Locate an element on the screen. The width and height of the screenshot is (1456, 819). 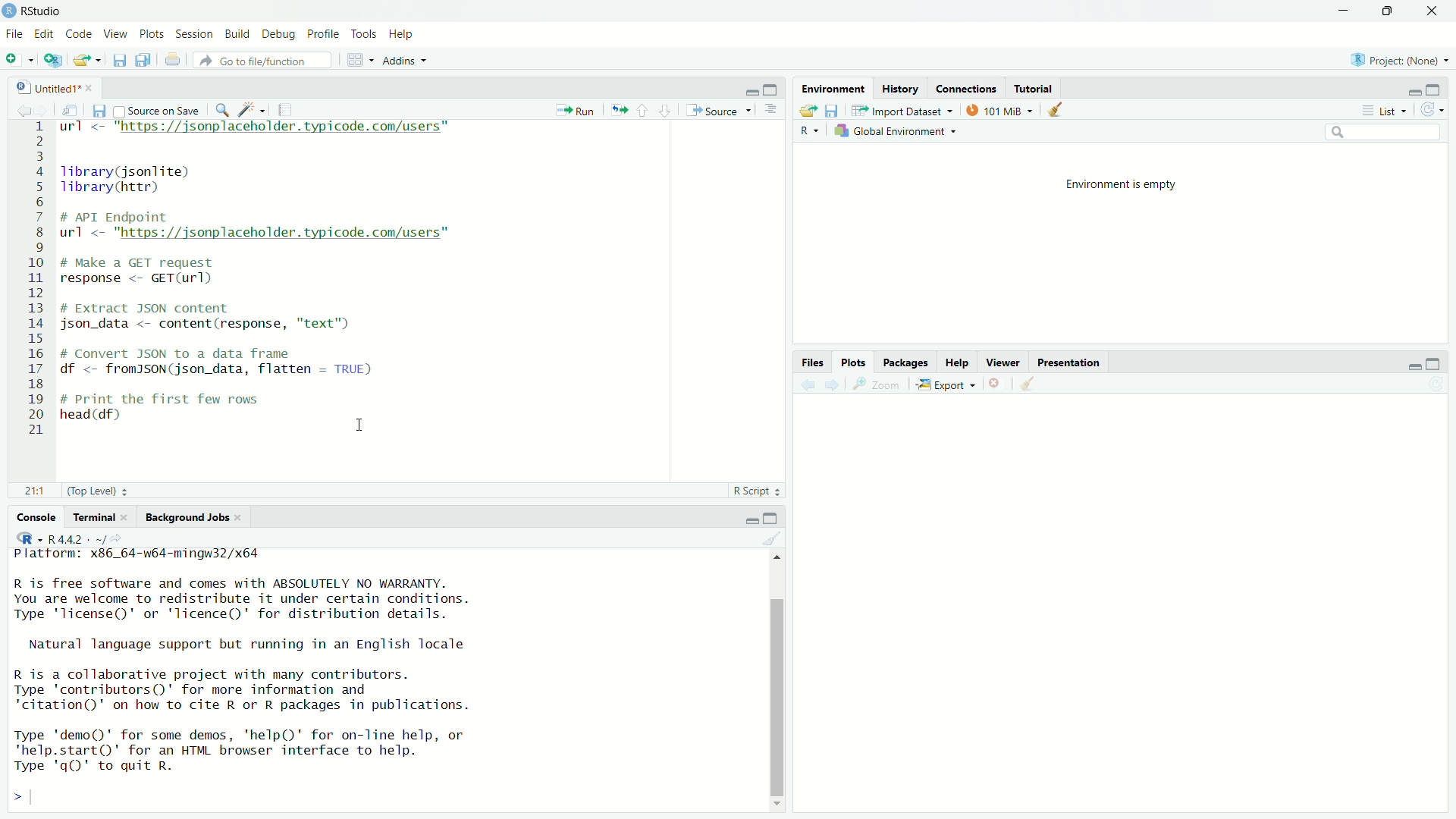
R4.4.2 - ~/ is located at coordinates (89, 538).